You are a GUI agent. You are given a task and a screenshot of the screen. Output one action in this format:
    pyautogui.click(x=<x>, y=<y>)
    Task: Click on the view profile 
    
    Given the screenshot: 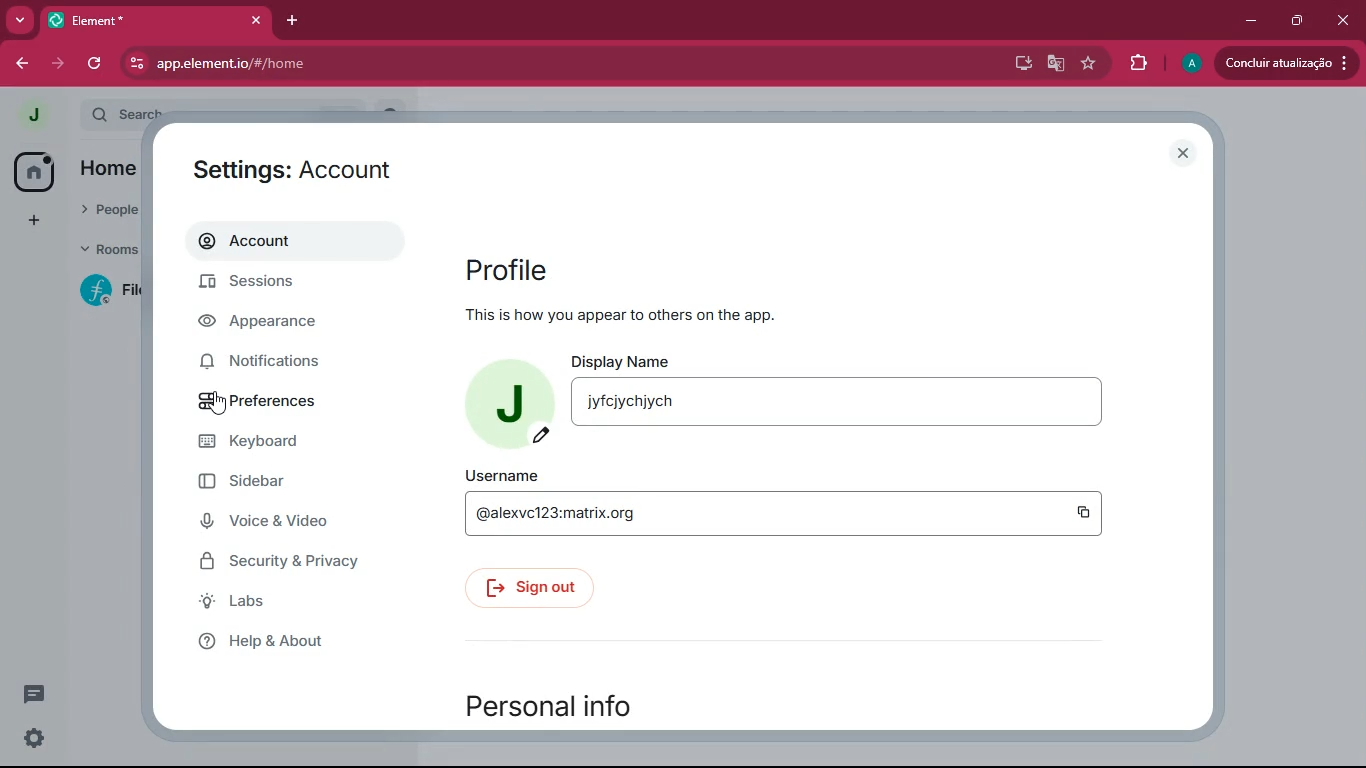 What is the action you would take?
    pyautogui.click(x=26, y=115)
    